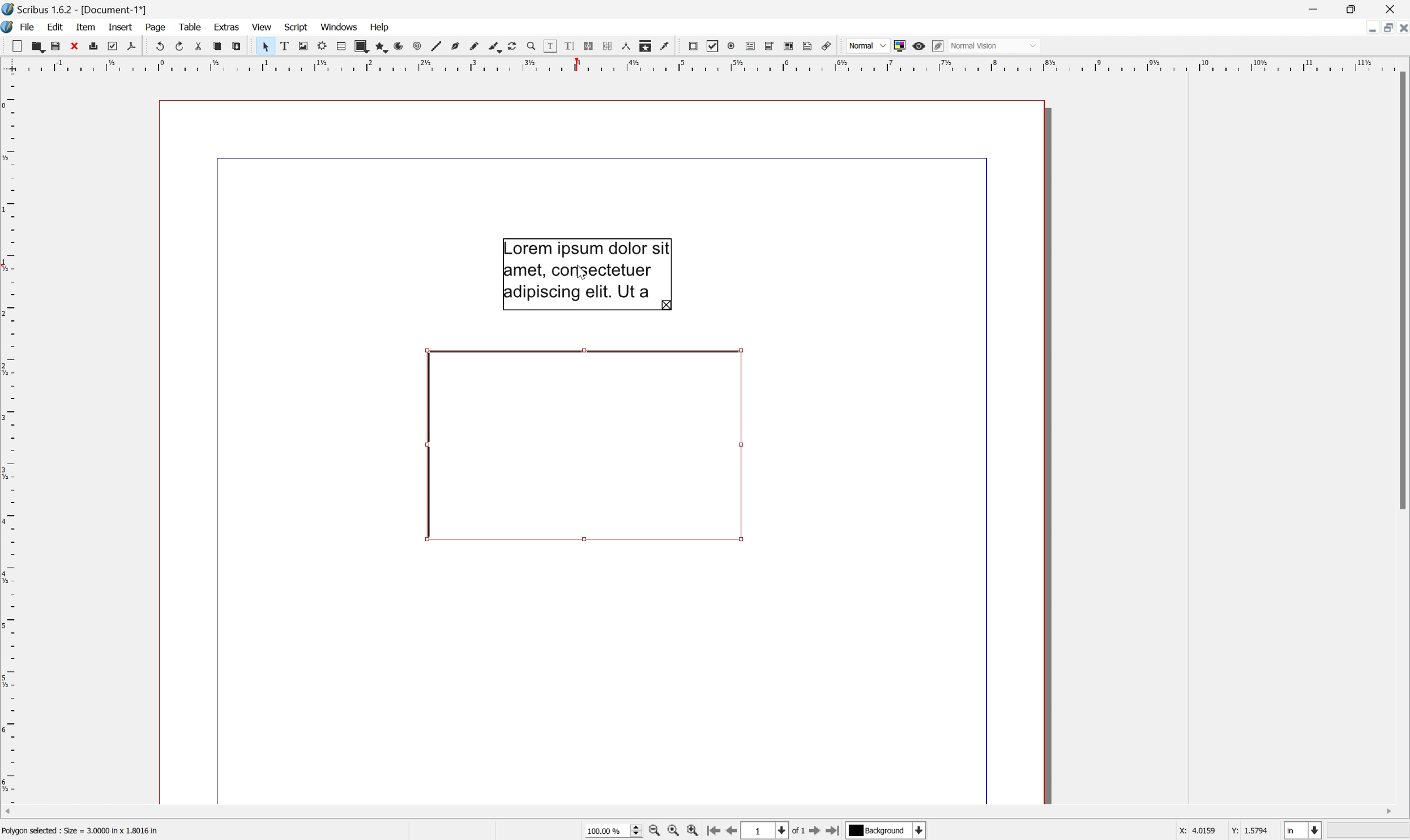 Image resolution: width=1410 pixels, height=840 pixels. I want to click on Save, so click(54, 47).